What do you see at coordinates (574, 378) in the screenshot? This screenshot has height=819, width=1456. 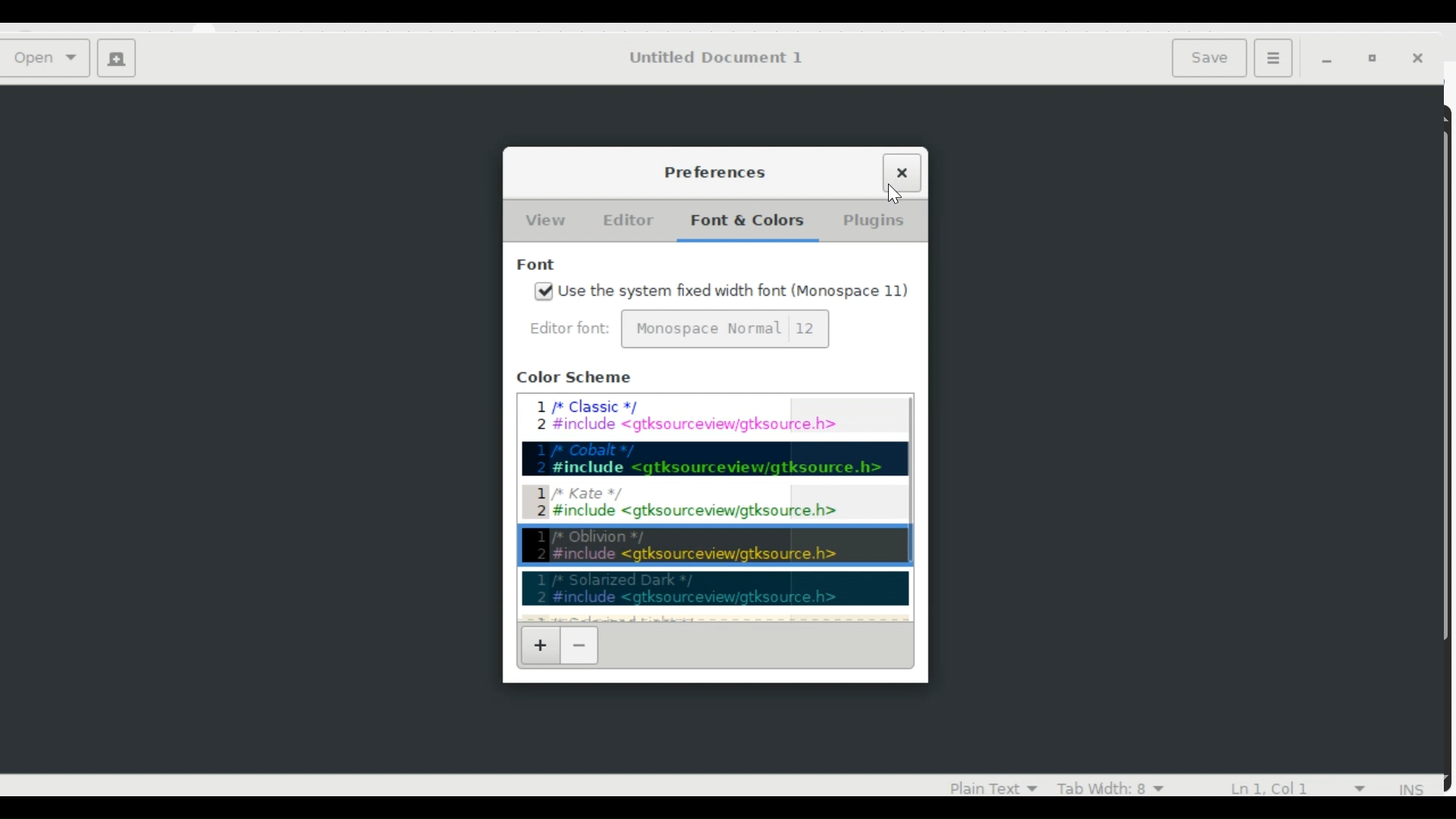 I see `Color Scheme` at bounding box center [574, 378].